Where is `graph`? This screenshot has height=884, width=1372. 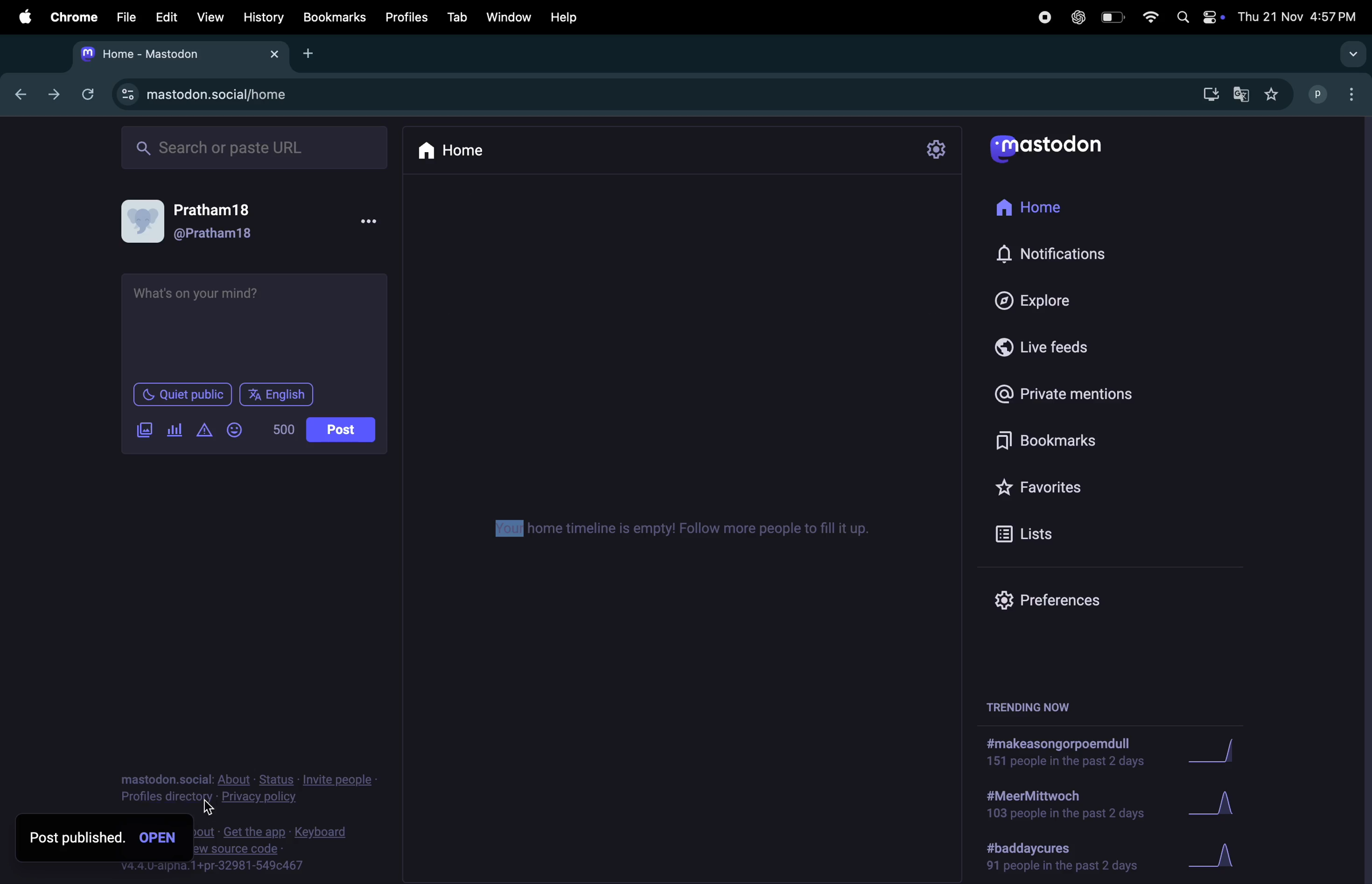
graph is located at coordinates (1218, 753).